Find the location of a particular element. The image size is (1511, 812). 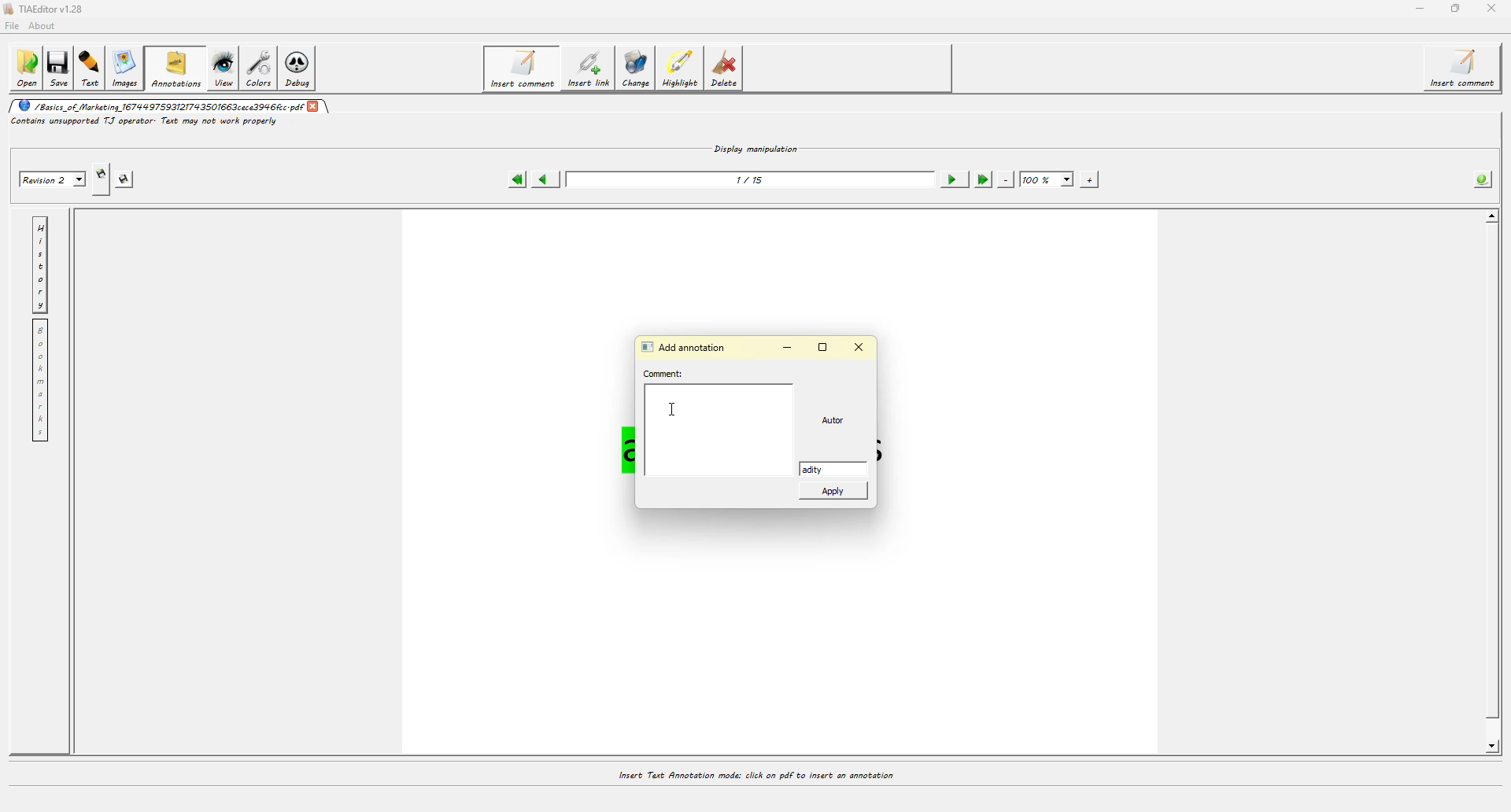

last page is located at coordinates (981, 179).